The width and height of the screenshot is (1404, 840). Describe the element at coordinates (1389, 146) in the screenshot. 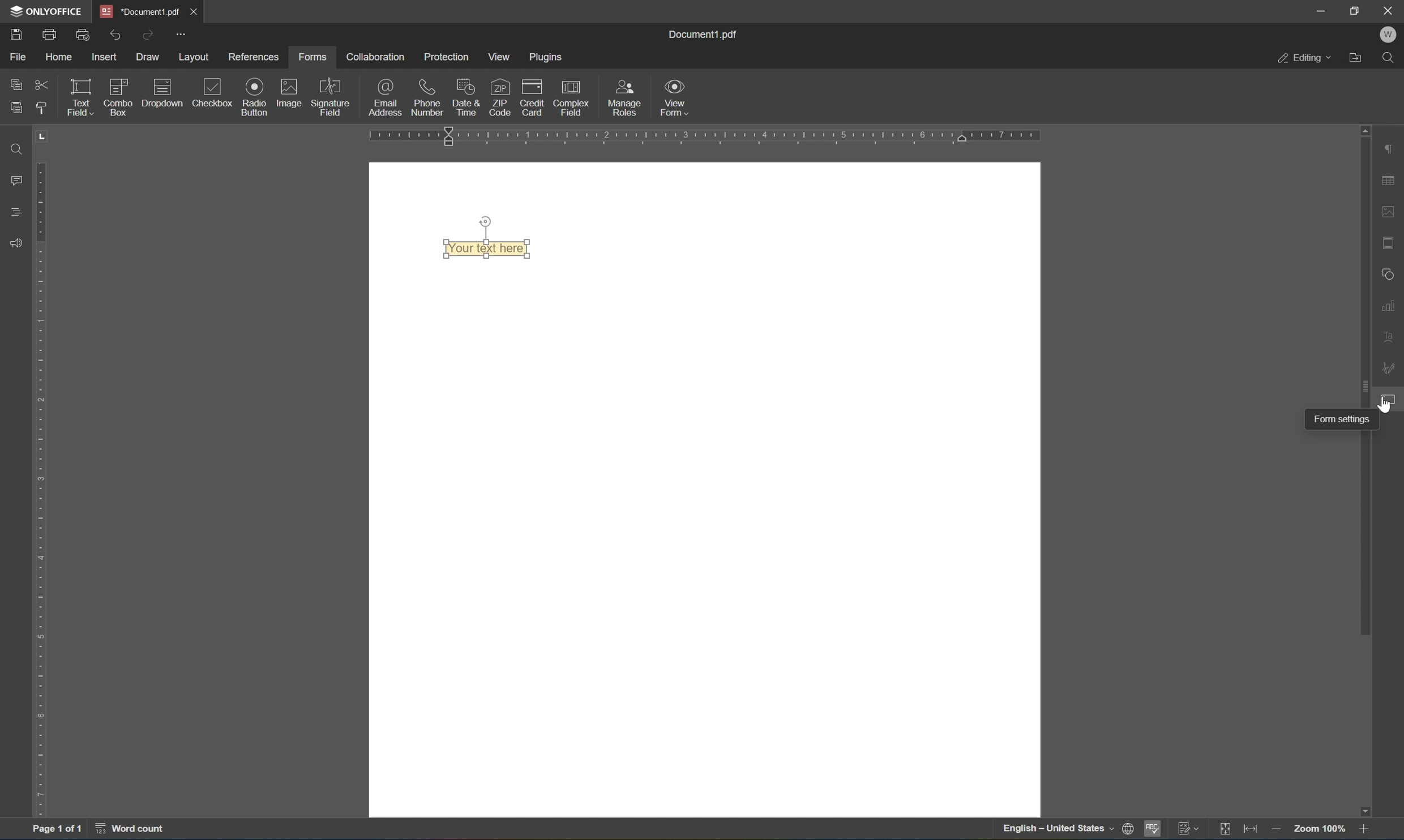

I see `paragraph settings` at that location.